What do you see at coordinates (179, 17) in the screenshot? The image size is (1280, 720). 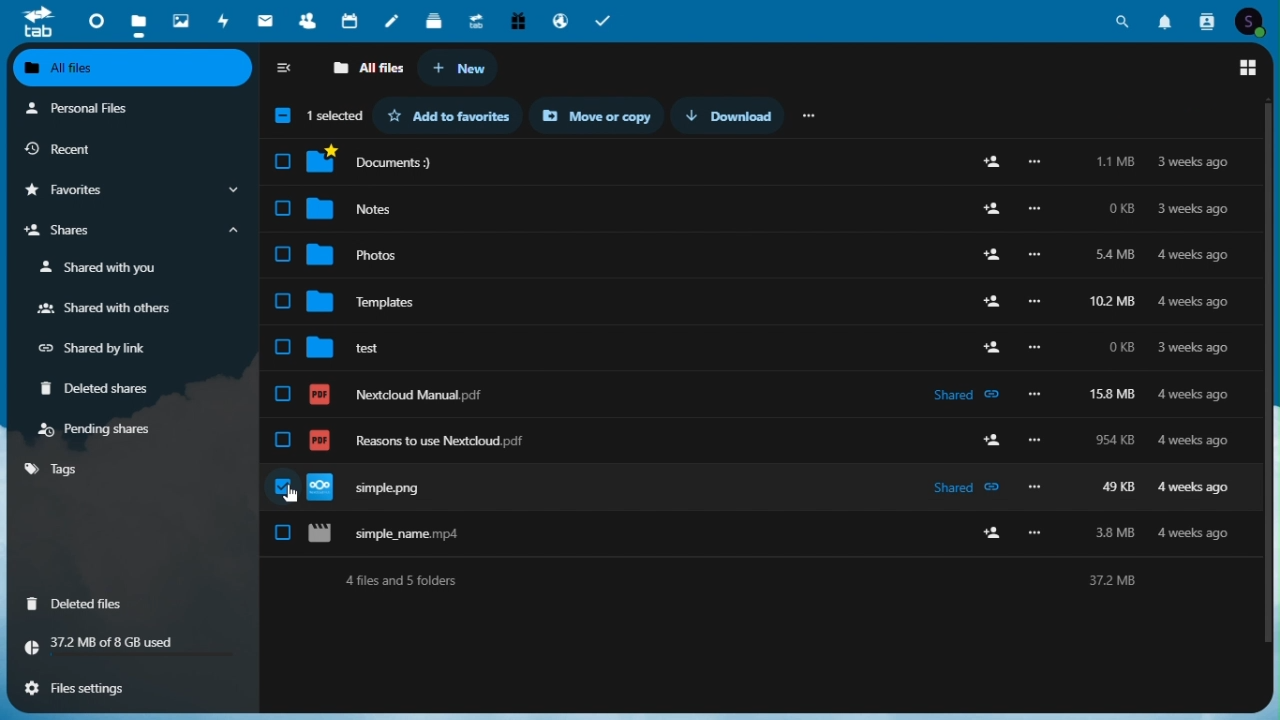 I see `photos` at bounding box center [179, 17].